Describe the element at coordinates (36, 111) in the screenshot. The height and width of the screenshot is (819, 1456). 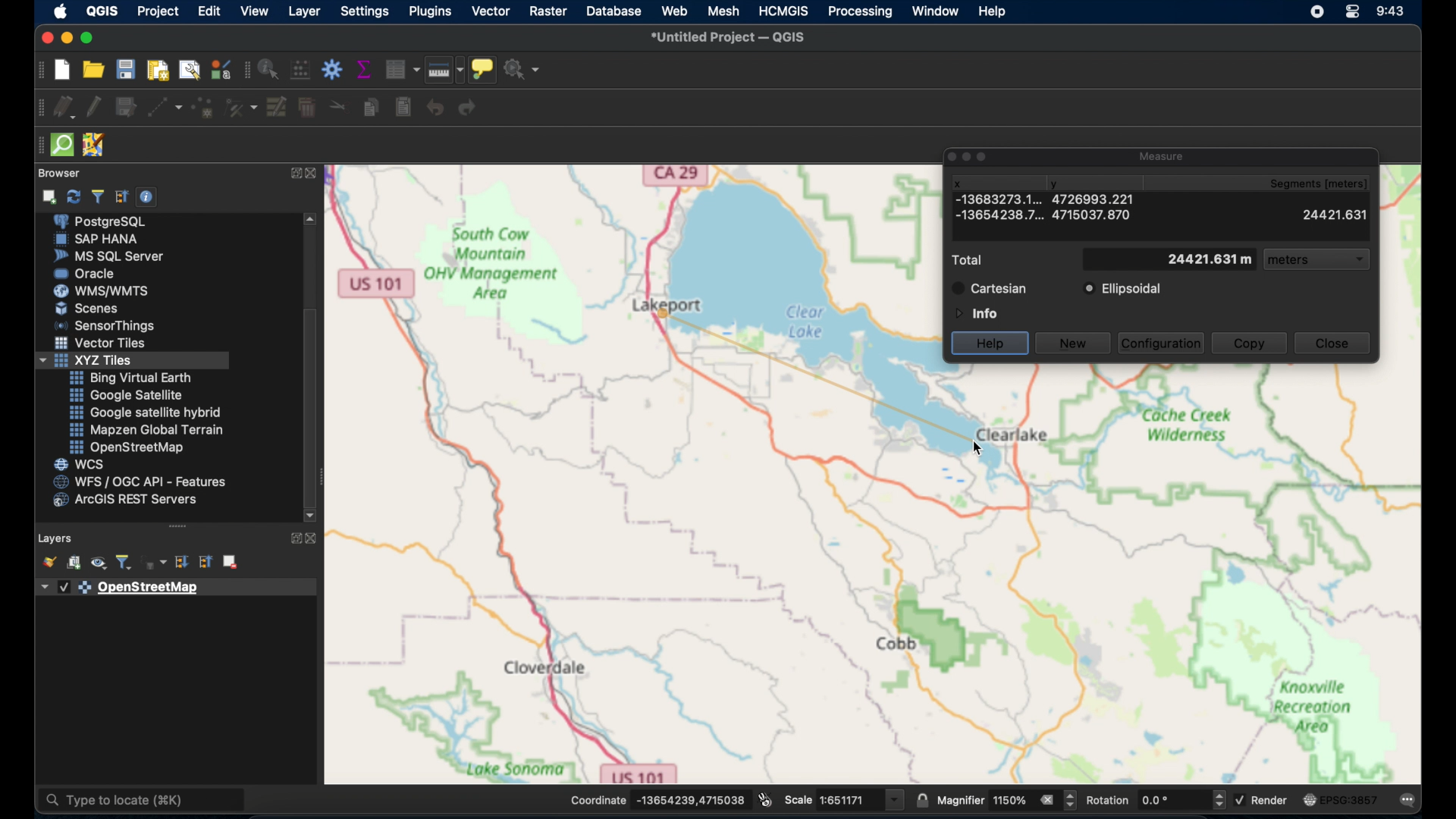
I see `digitizing toolbar` at that location.